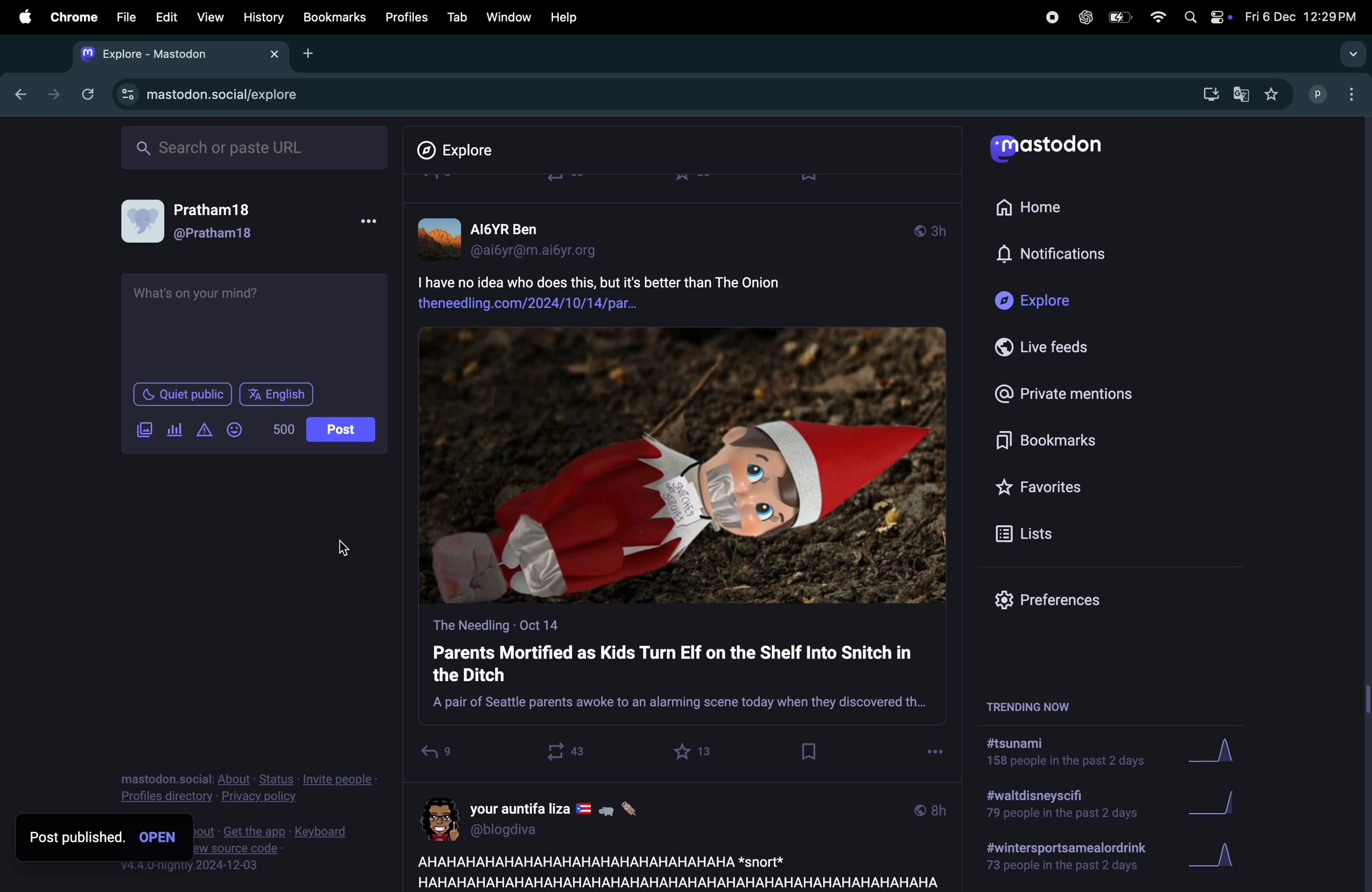  I want to click on Notifications, so click(1054, 255).